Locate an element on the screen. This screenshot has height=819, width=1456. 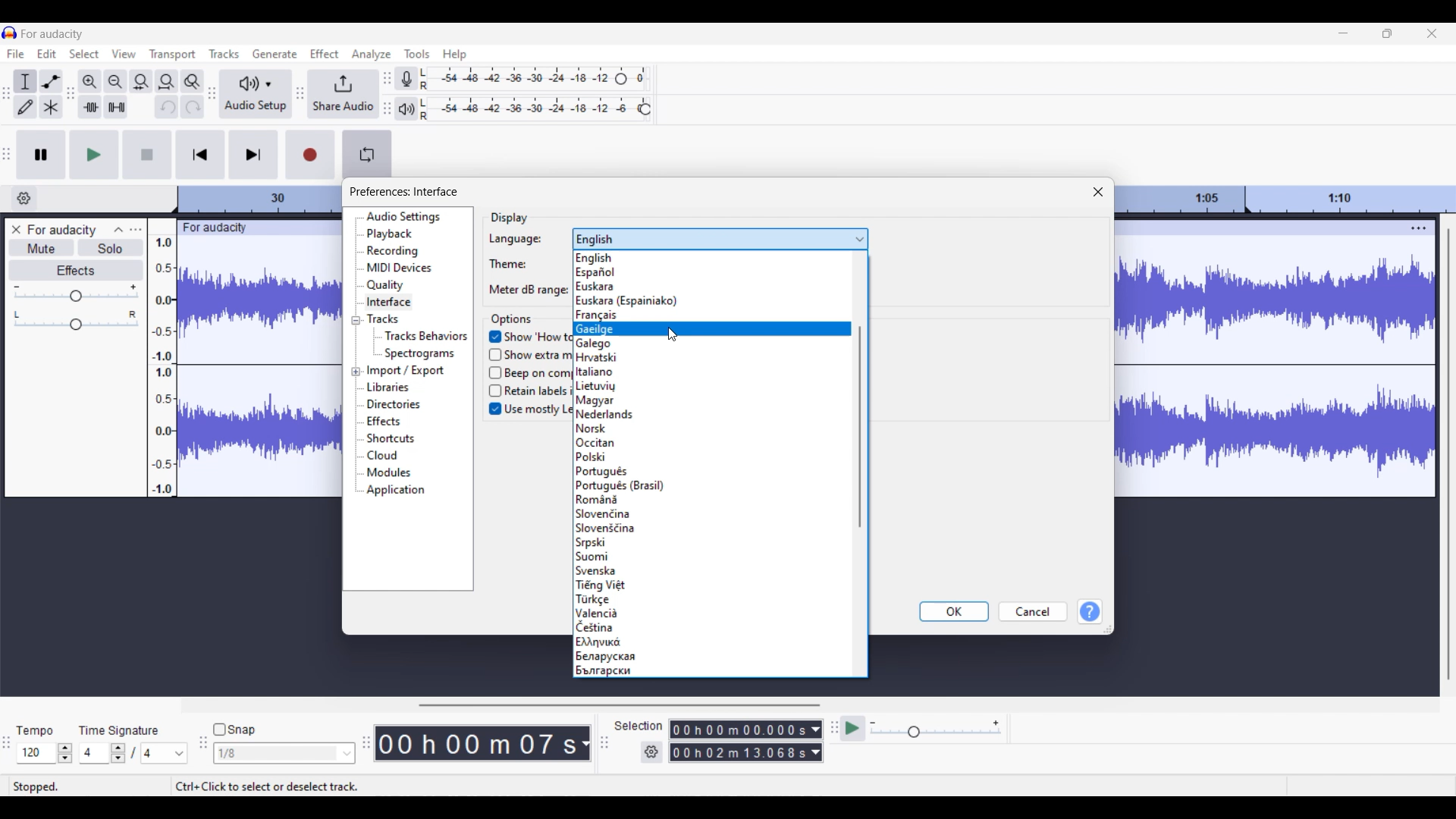
Gaeilae is located at coordinates (598, 327).